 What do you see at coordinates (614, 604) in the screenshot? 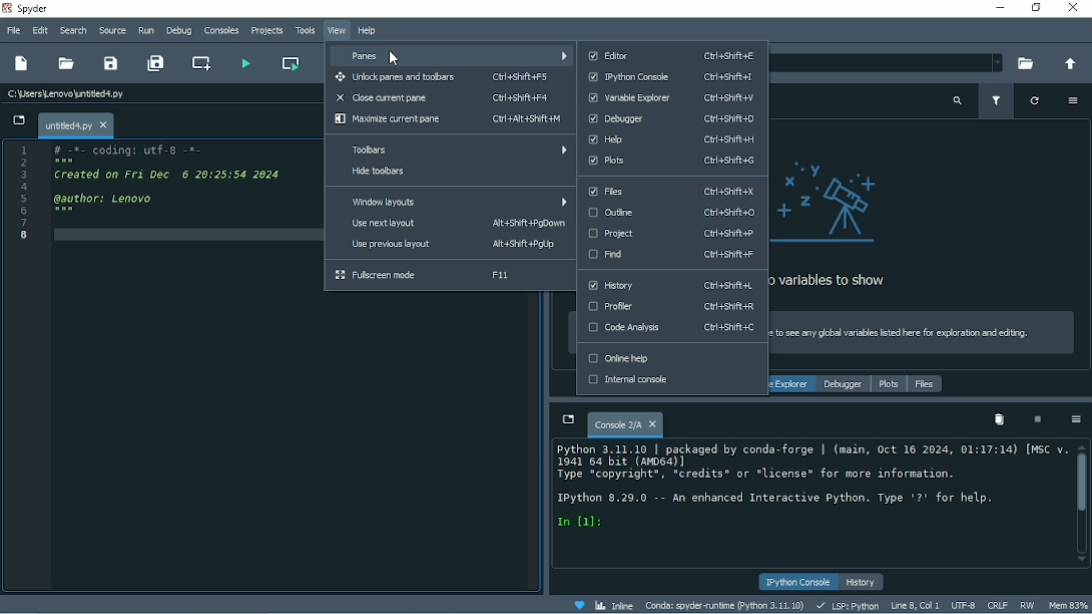
I see `Inline` at bounding box center [614, 604].